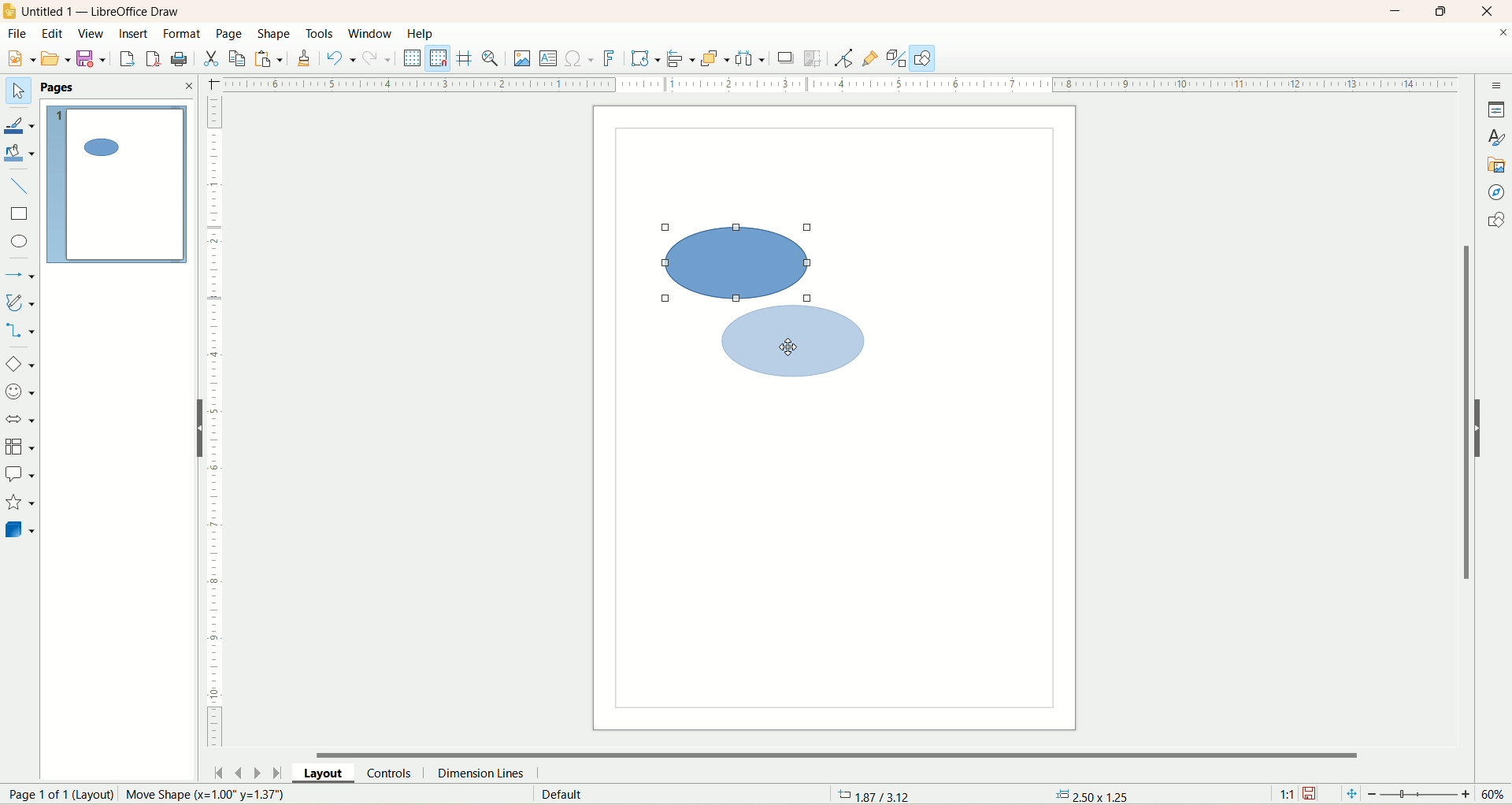  What do you see at coordinates (154, 58) in the screenshot?
I see `export directly as PDF` at bounding box center [154, 58].